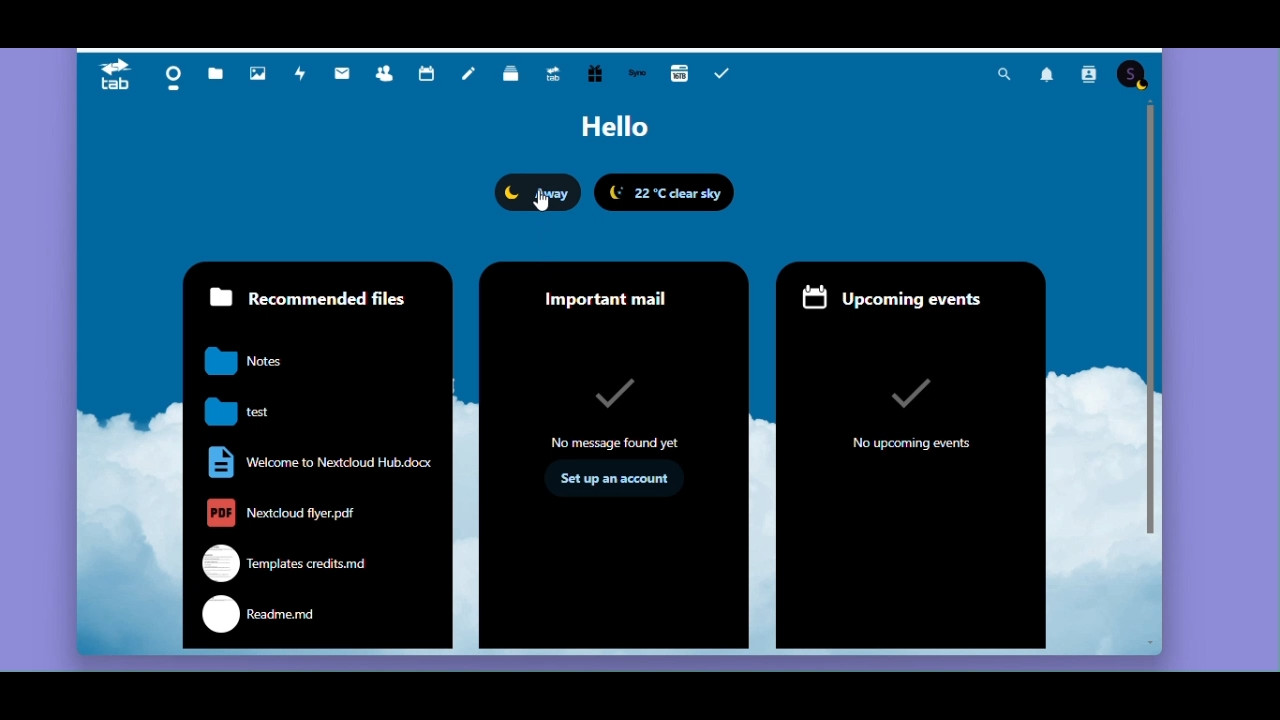 The width and height of the screenshot is (1280, 720). What do you see at coordinates (1151, 322) in the screenshot?
I see `Vertical scrollbar` at bounding box center [1151, 322].